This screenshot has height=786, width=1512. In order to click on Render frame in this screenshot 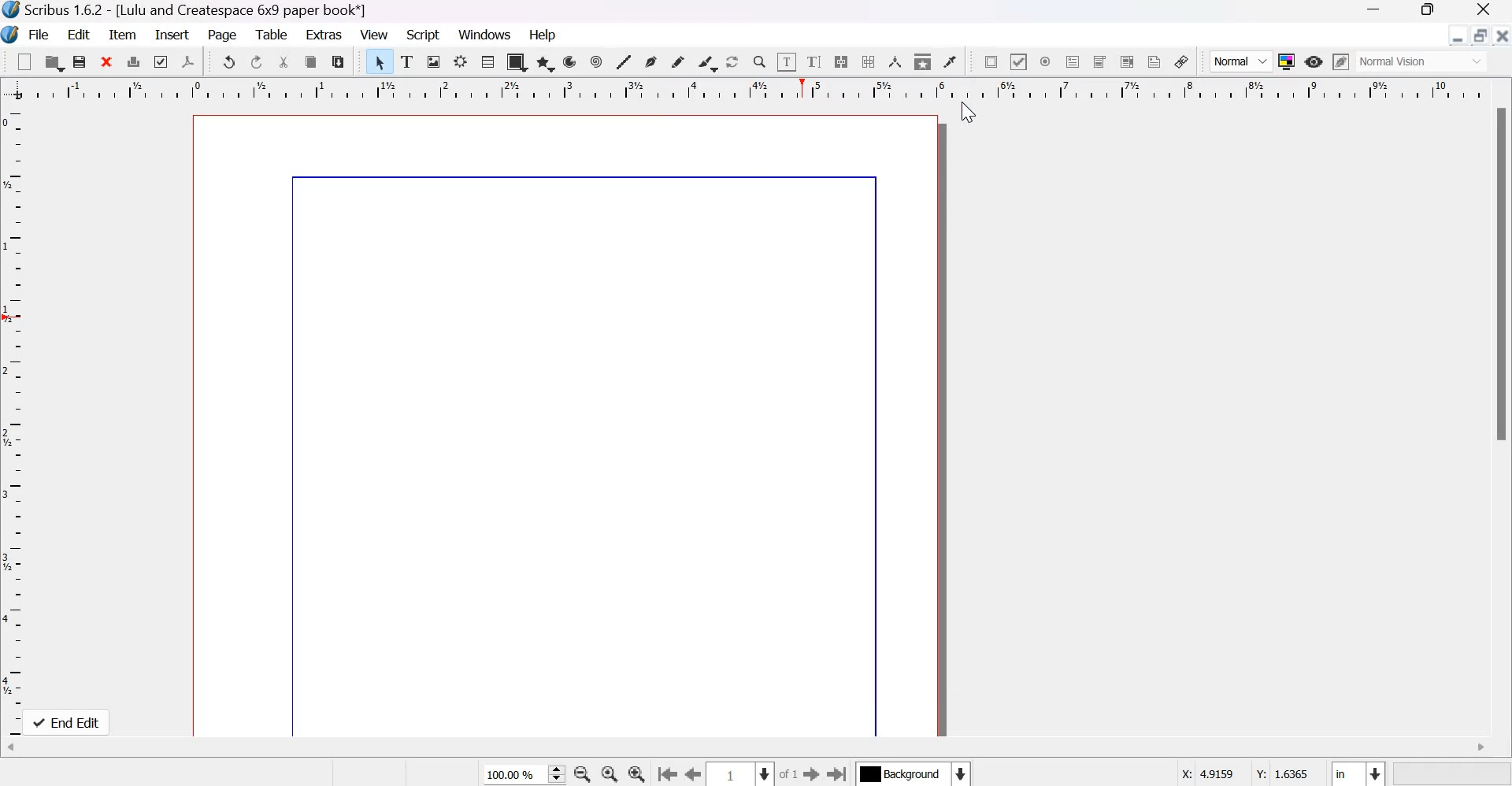, I will do `click(460, 62)`.